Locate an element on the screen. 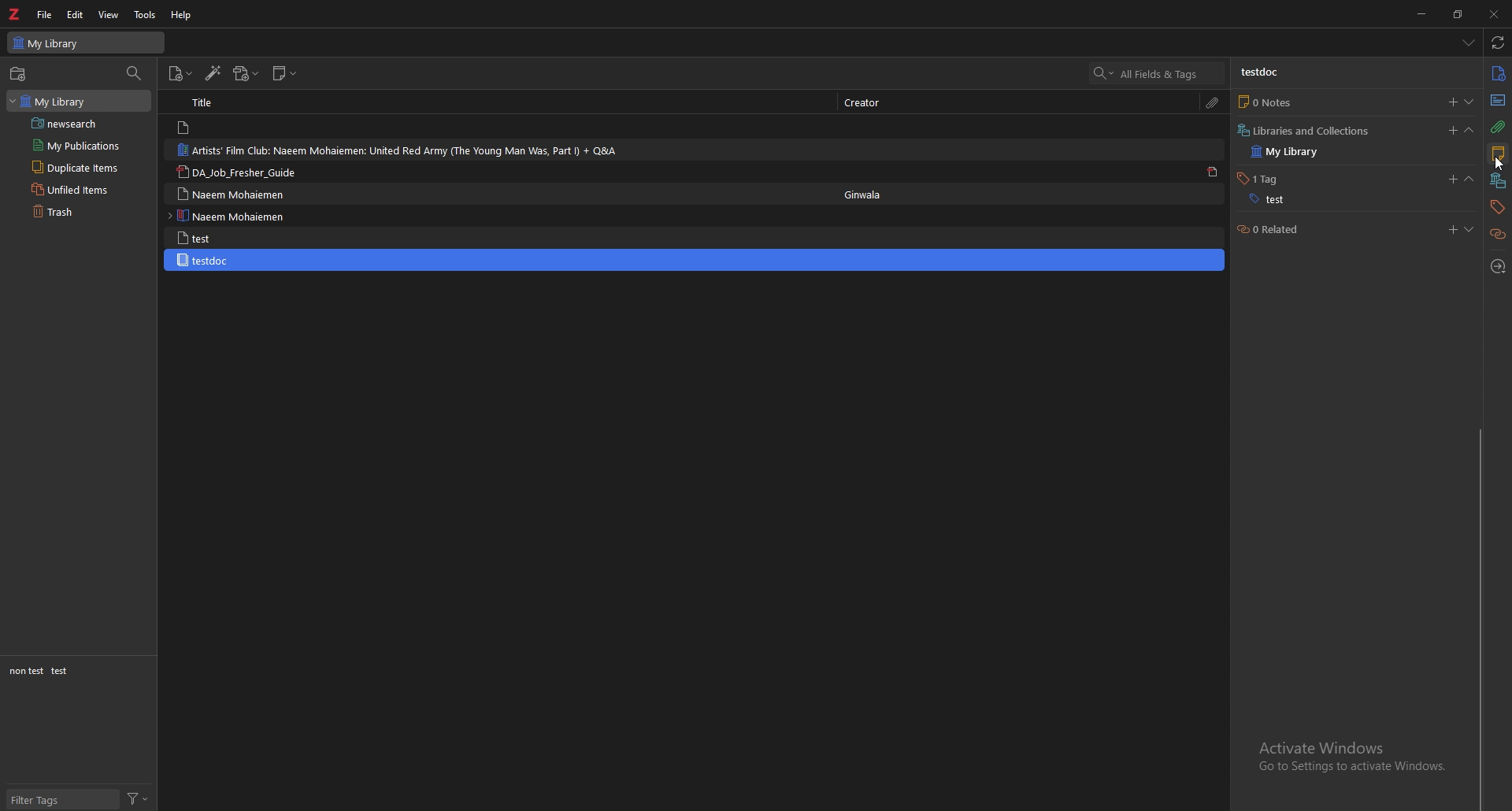 The height and width of the screenshot is (811, 1512). list all tabs is located at coordinates (1469, 42).